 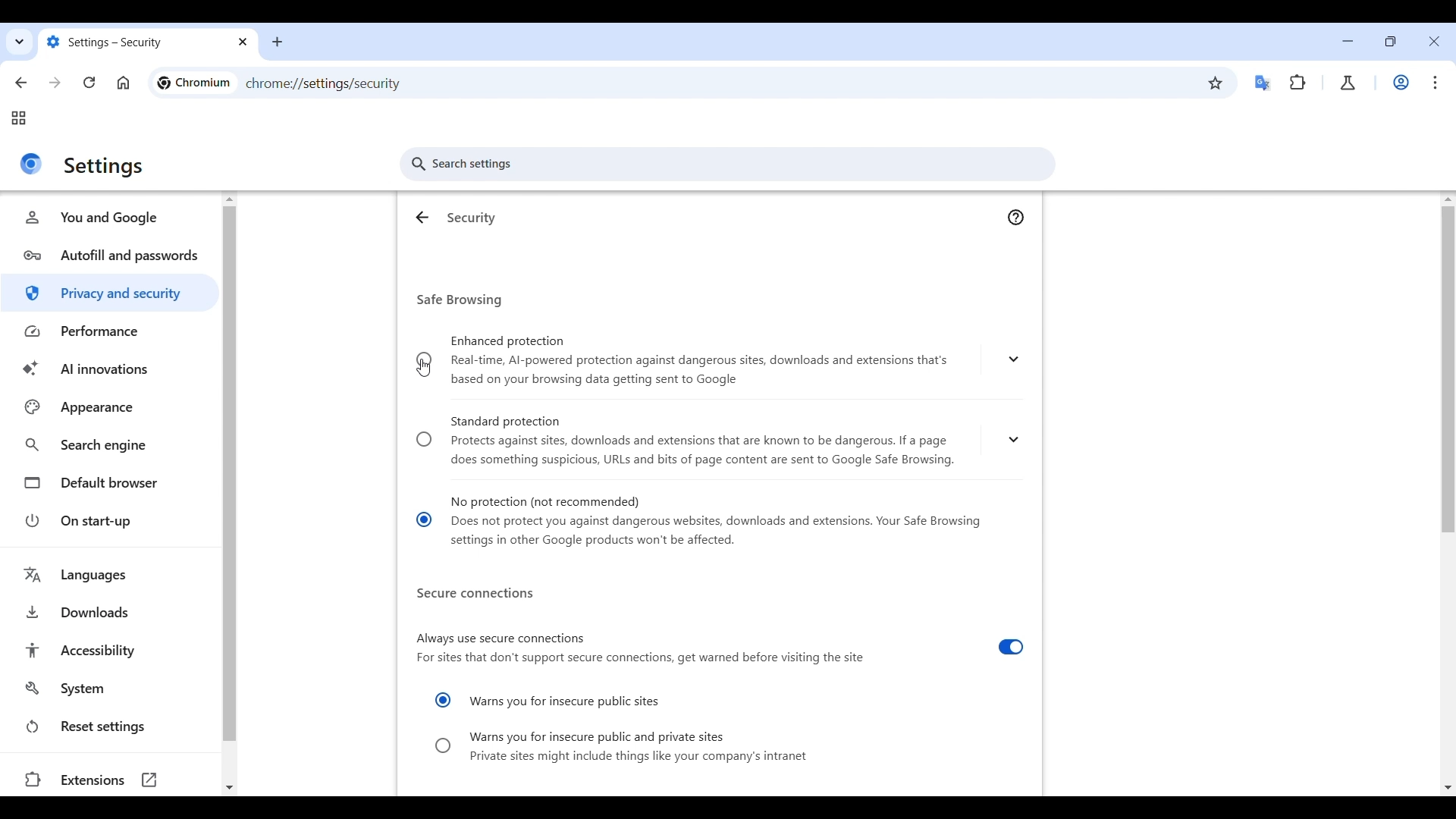 What do you see at coordinates (1390, 41) in the screenshot?
I see `Show interface in smaller tab` at bounding box center [1390, 41].